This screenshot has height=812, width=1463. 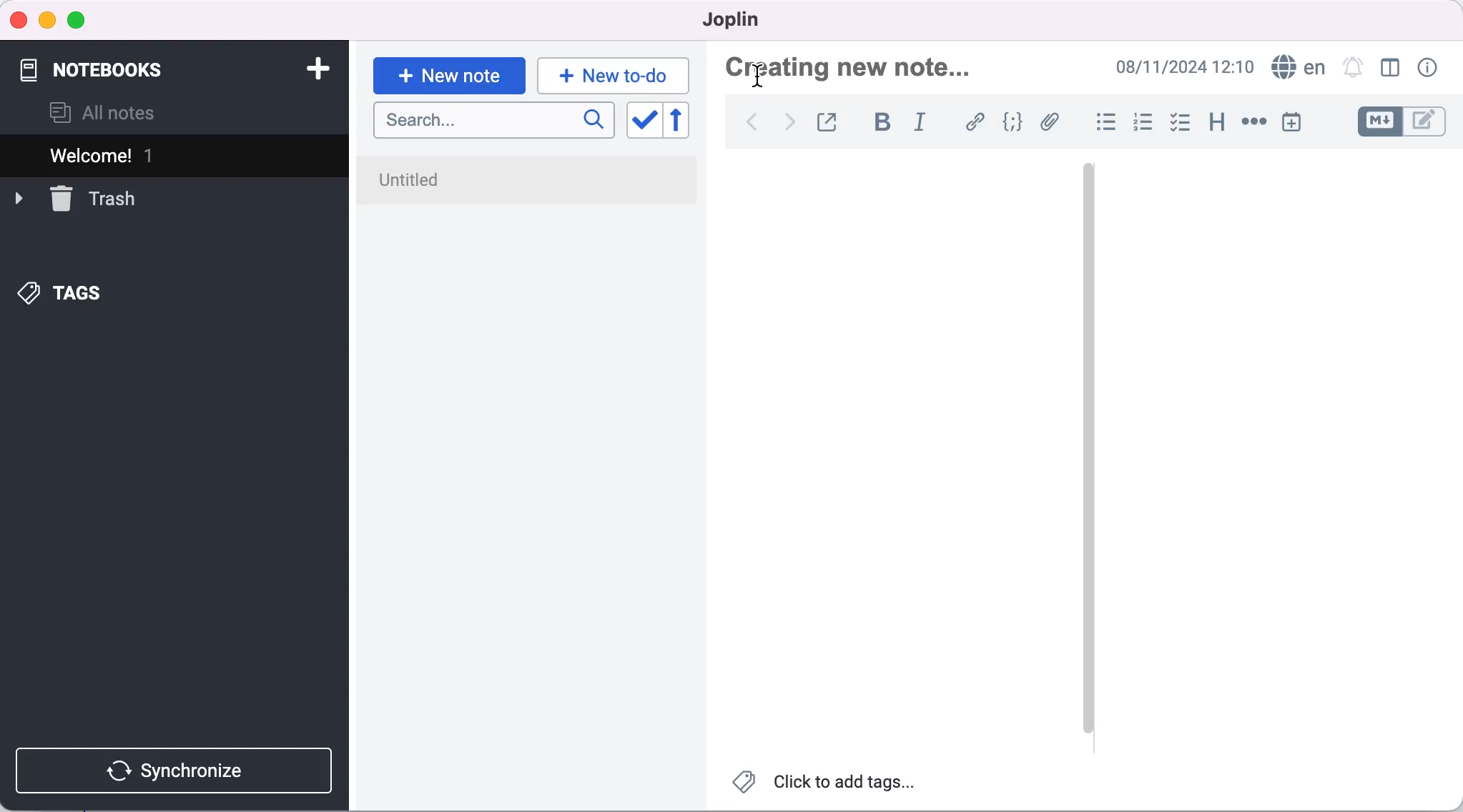 What do you see at coordinates (789, 122) in the screenshot?
I see `forward` at bounding box center [789, 122].